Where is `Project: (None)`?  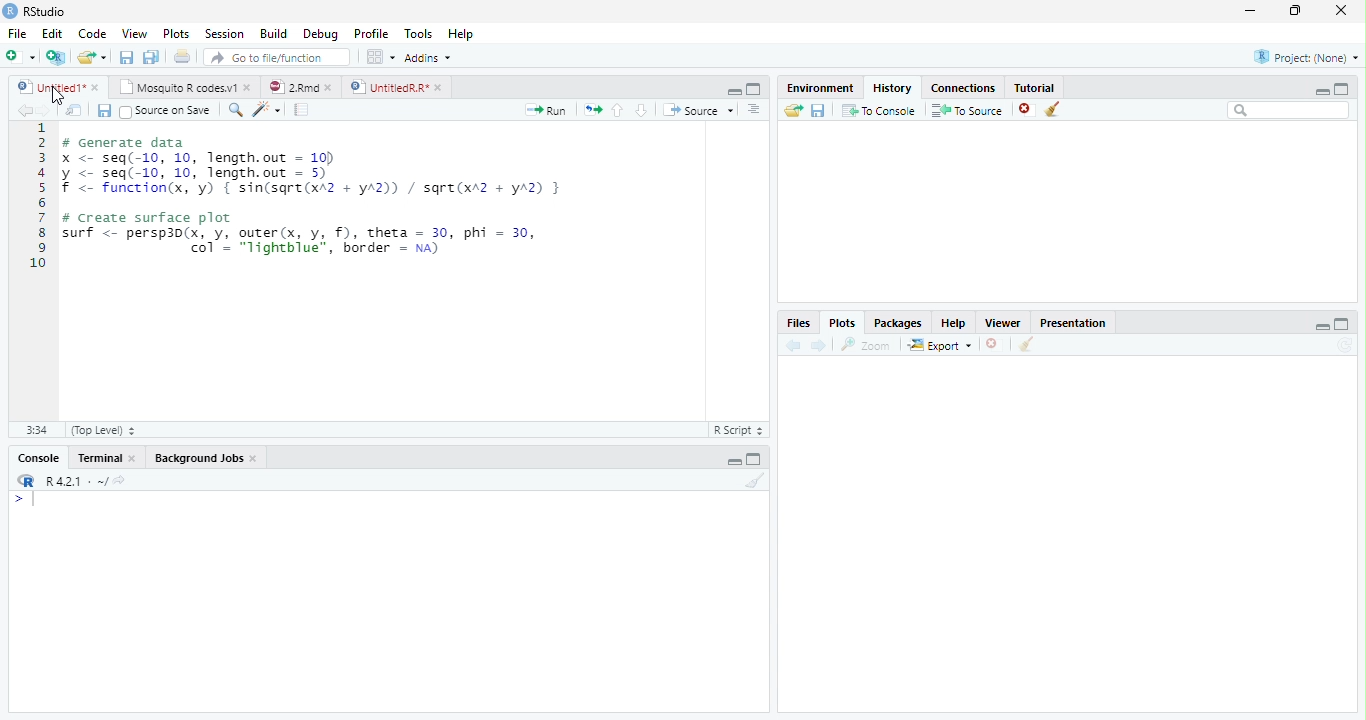
Project: (None) is located at coordinates (1306, 57).